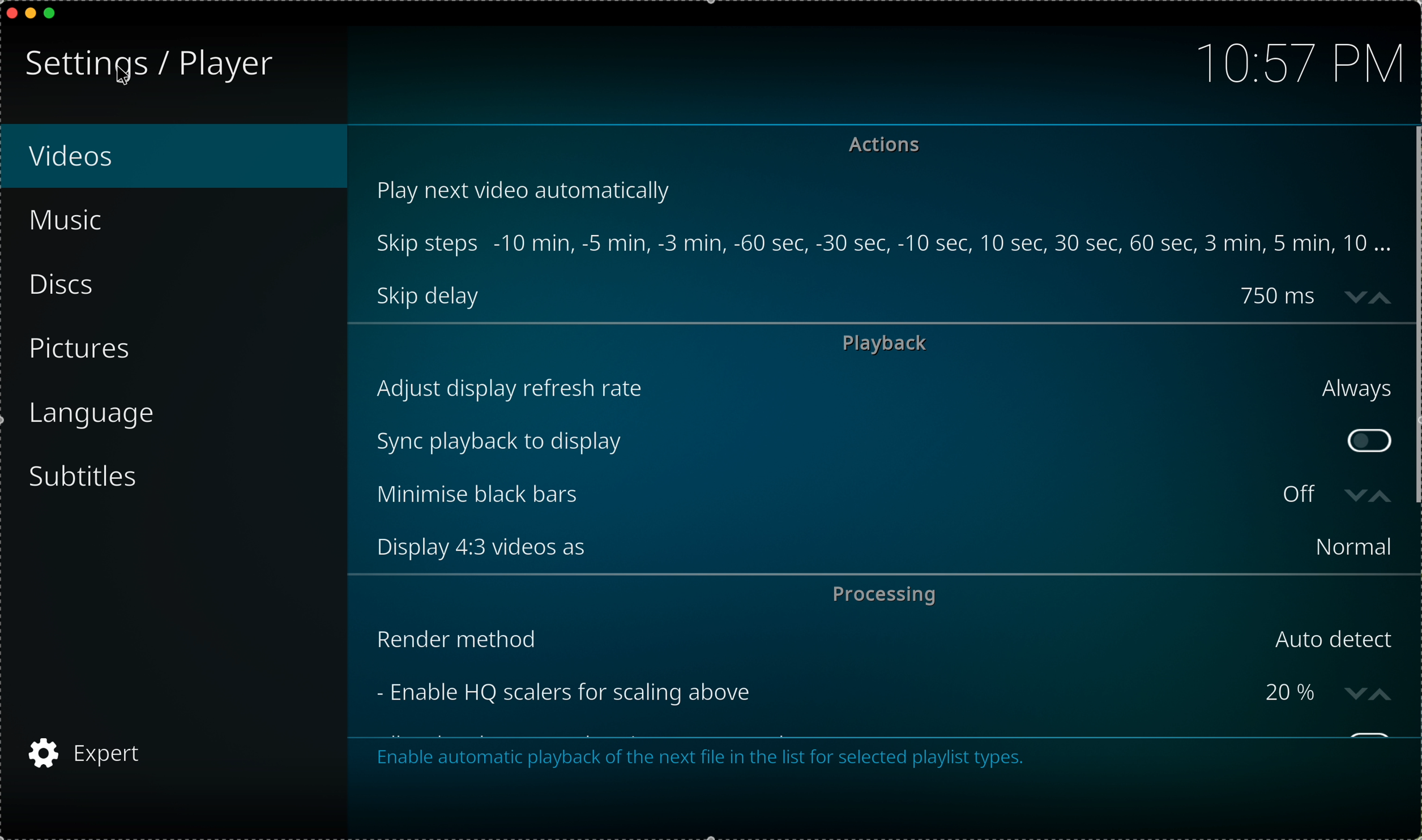 This screenshot has width=1422, height=840. What do you see at coordinates (847, 692) in the screenshot?
I see `enable HQ scalers for scalling above  20%` at bounding box center [847, 692].